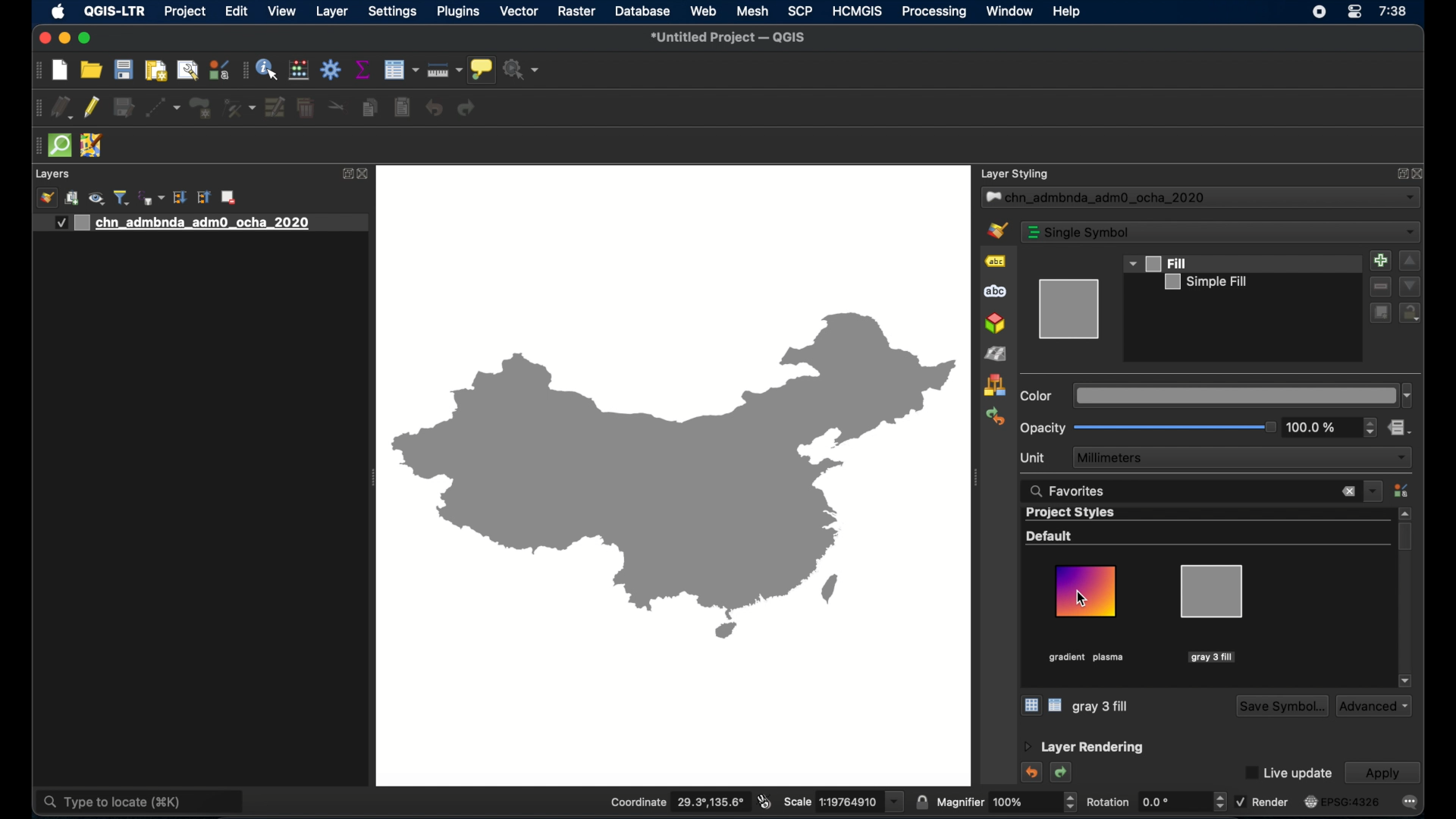 The image size is (1456, 819). What do you see at coordinates (365, 174) in the screenshot?
I see `close` at bounding box center [365, 174].